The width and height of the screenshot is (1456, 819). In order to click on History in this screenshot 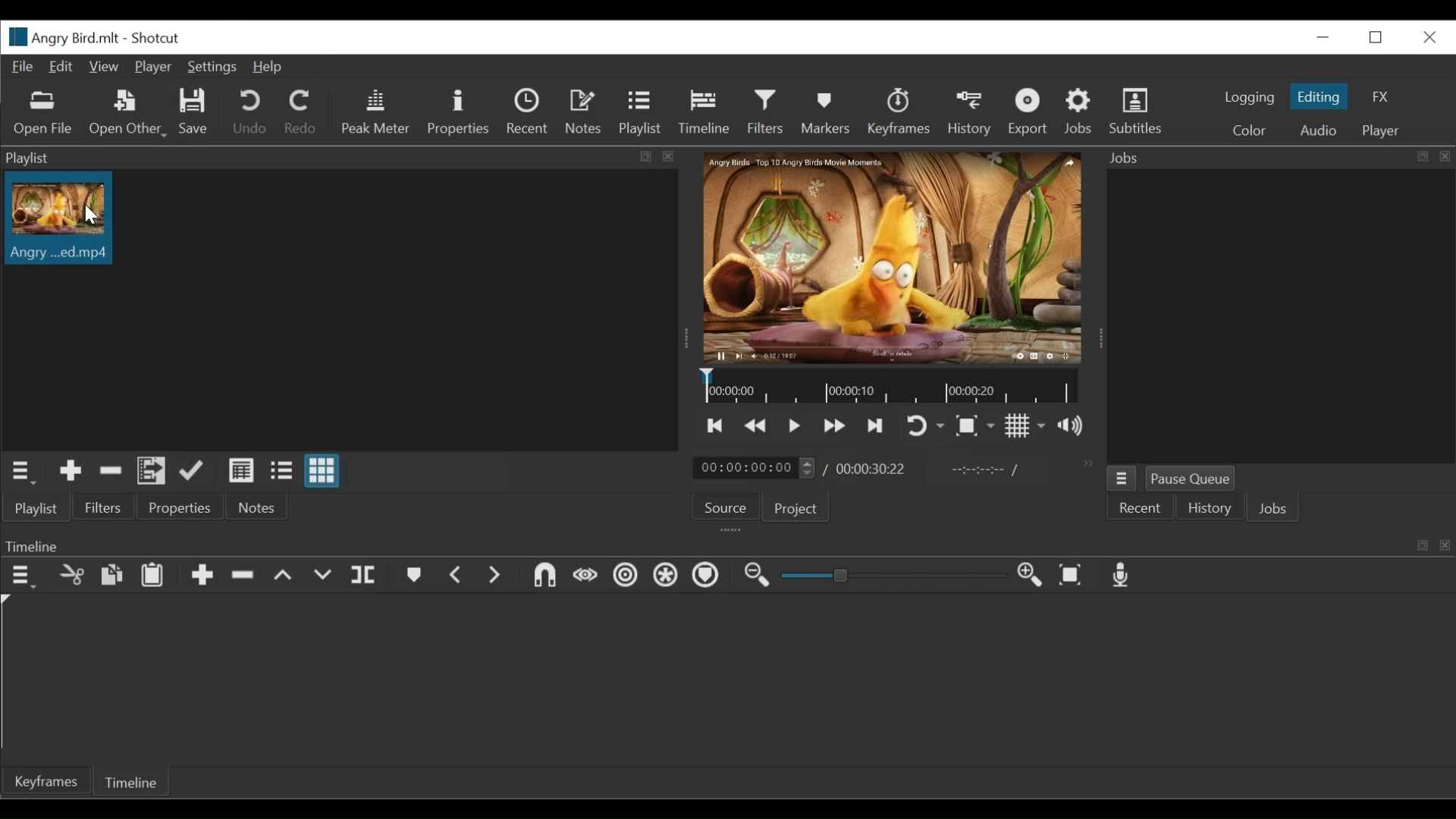, I will do `click(1207, 508)`.